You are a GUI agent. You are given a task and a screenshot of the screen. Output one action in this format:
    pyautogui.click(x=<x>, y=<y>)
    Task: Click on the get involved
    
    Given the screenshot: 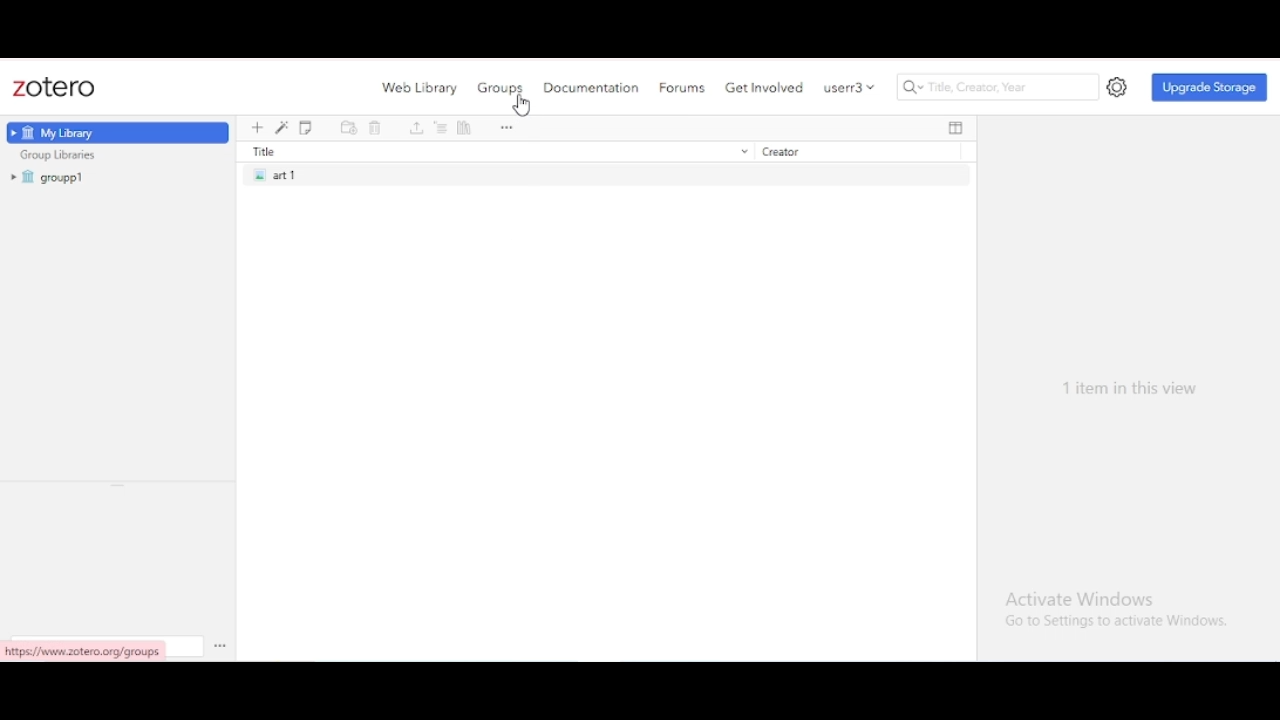 What is the action you would take?
    pyautogui.click(x=766, y=87)
    